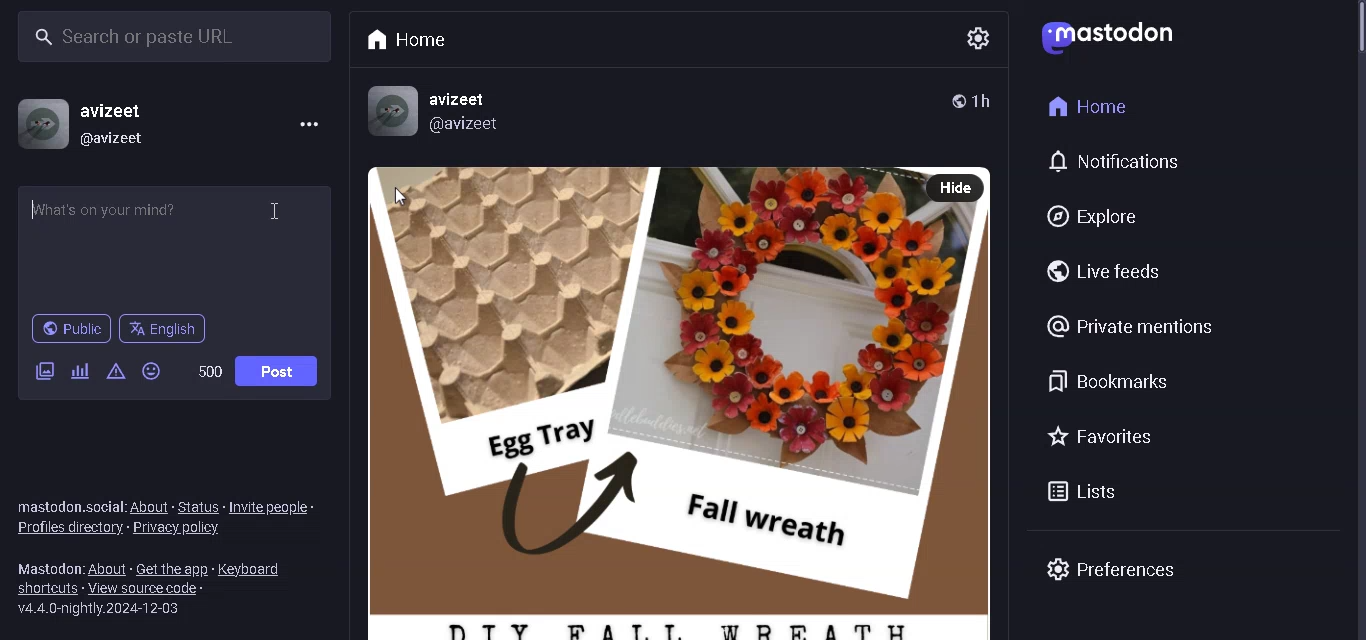 Image resolution: width=1366 pixels, height=640 pixels. I want to click on HOME, so click(424, 41).